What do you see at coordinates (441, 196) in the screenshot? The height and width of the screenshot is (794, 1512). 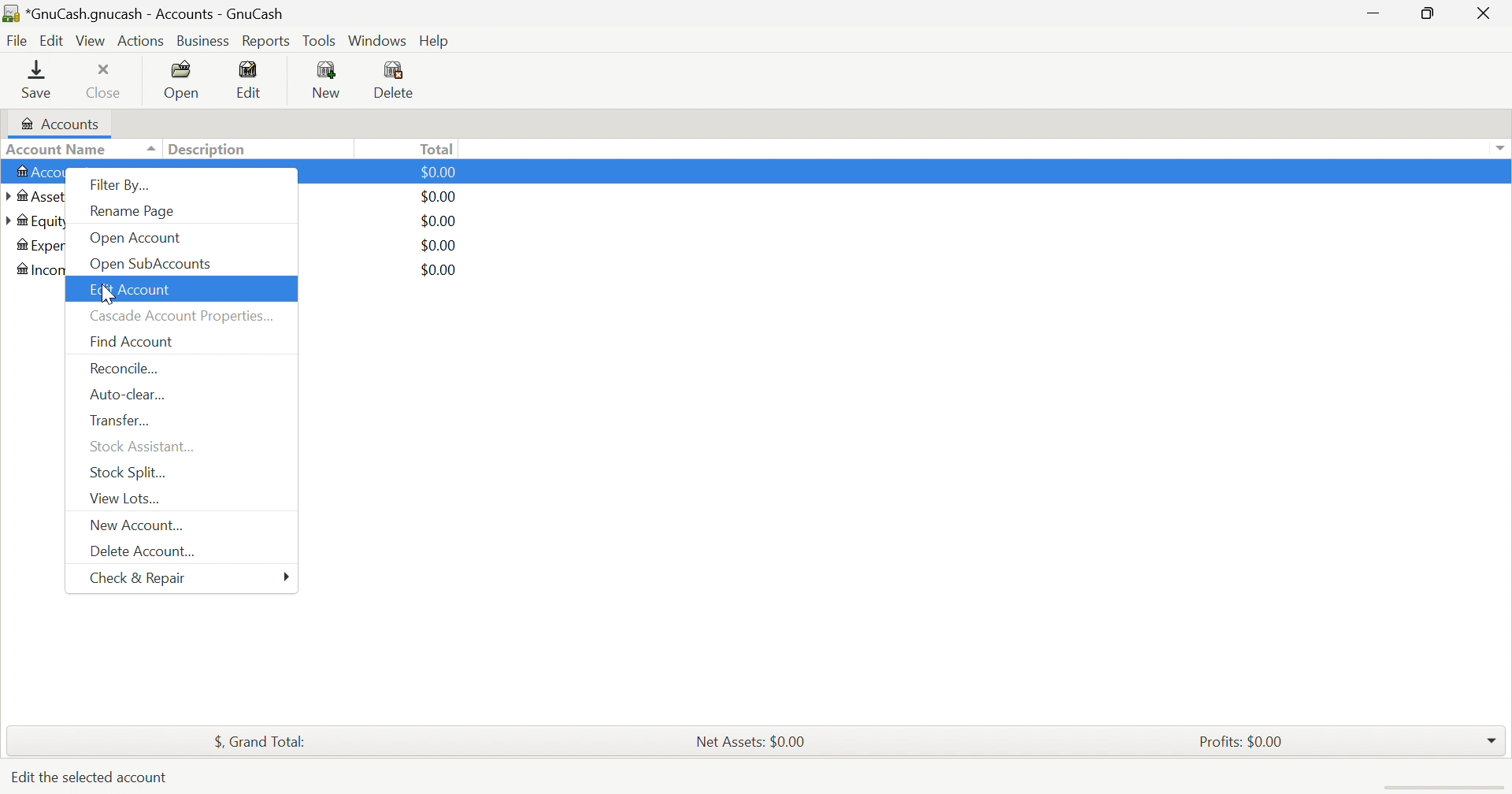 I see `$0.00` at bounding box center [441, 196].